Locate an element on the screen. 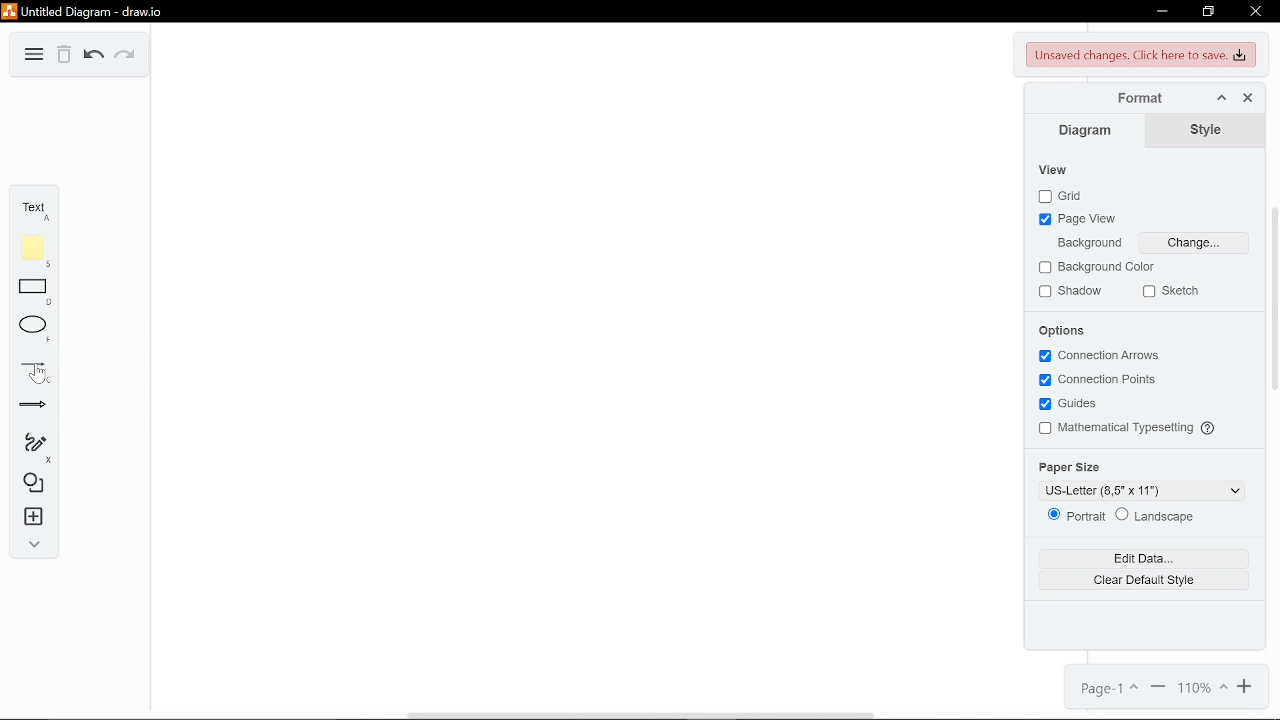 The width and height of the screenshot is (1280, 720). Zoom in is located at coordinates (1244, 688).